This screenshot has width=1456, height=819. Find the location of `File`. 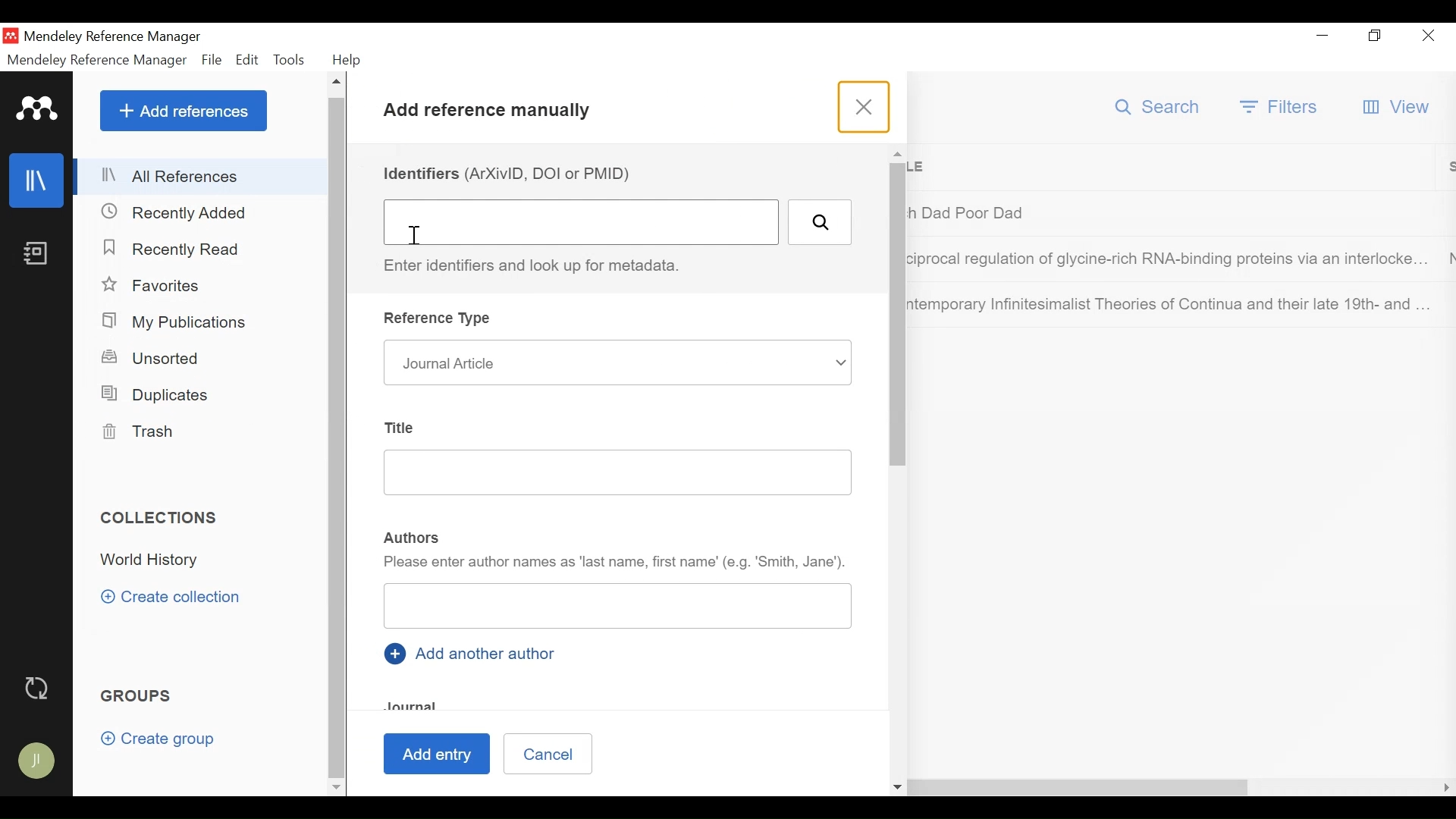

File is located at coordinates (212, 59).